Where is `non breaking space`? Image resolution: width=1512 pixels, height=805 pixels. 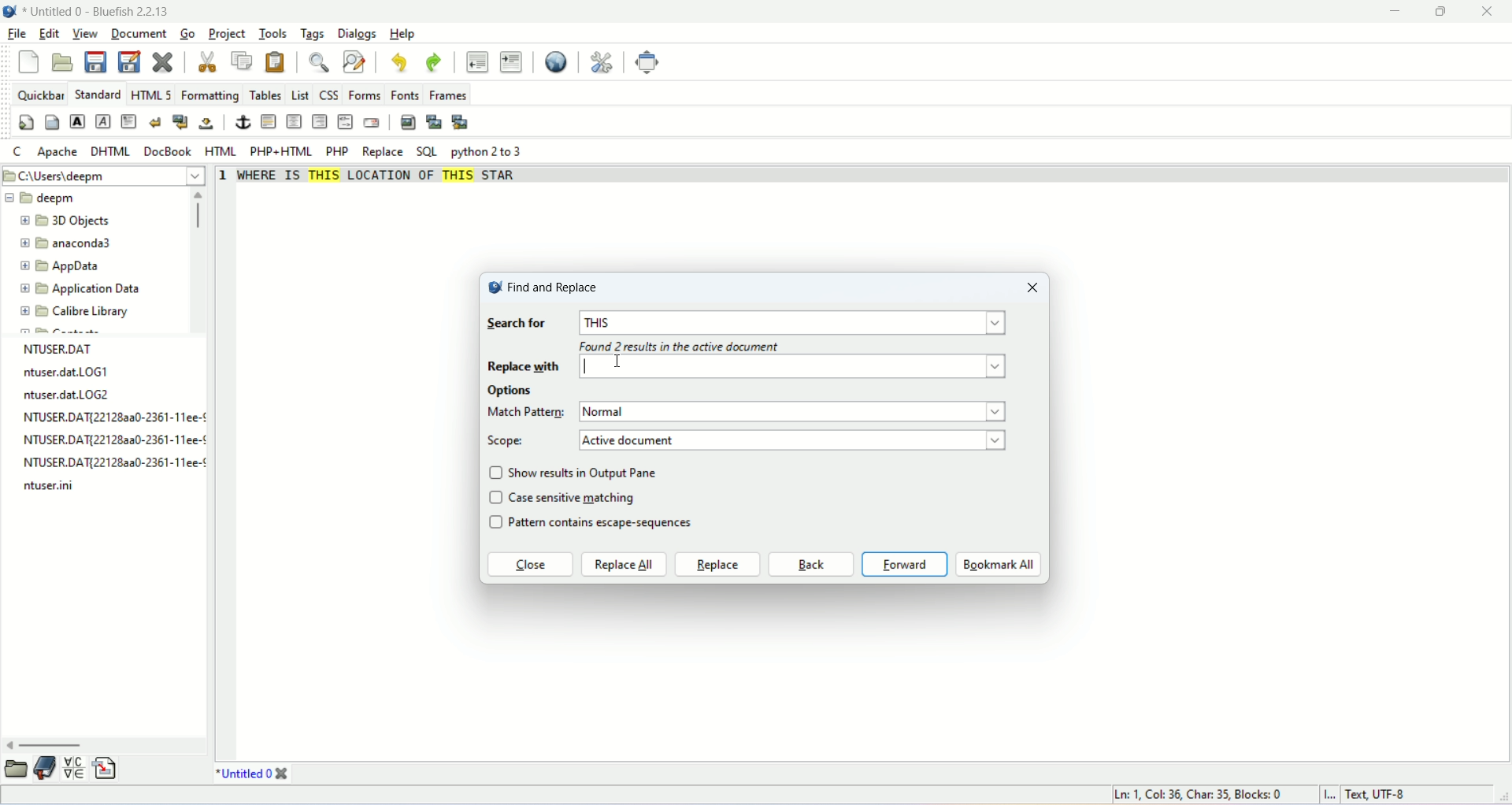 non breaking space is located at coordinates (205, 124).